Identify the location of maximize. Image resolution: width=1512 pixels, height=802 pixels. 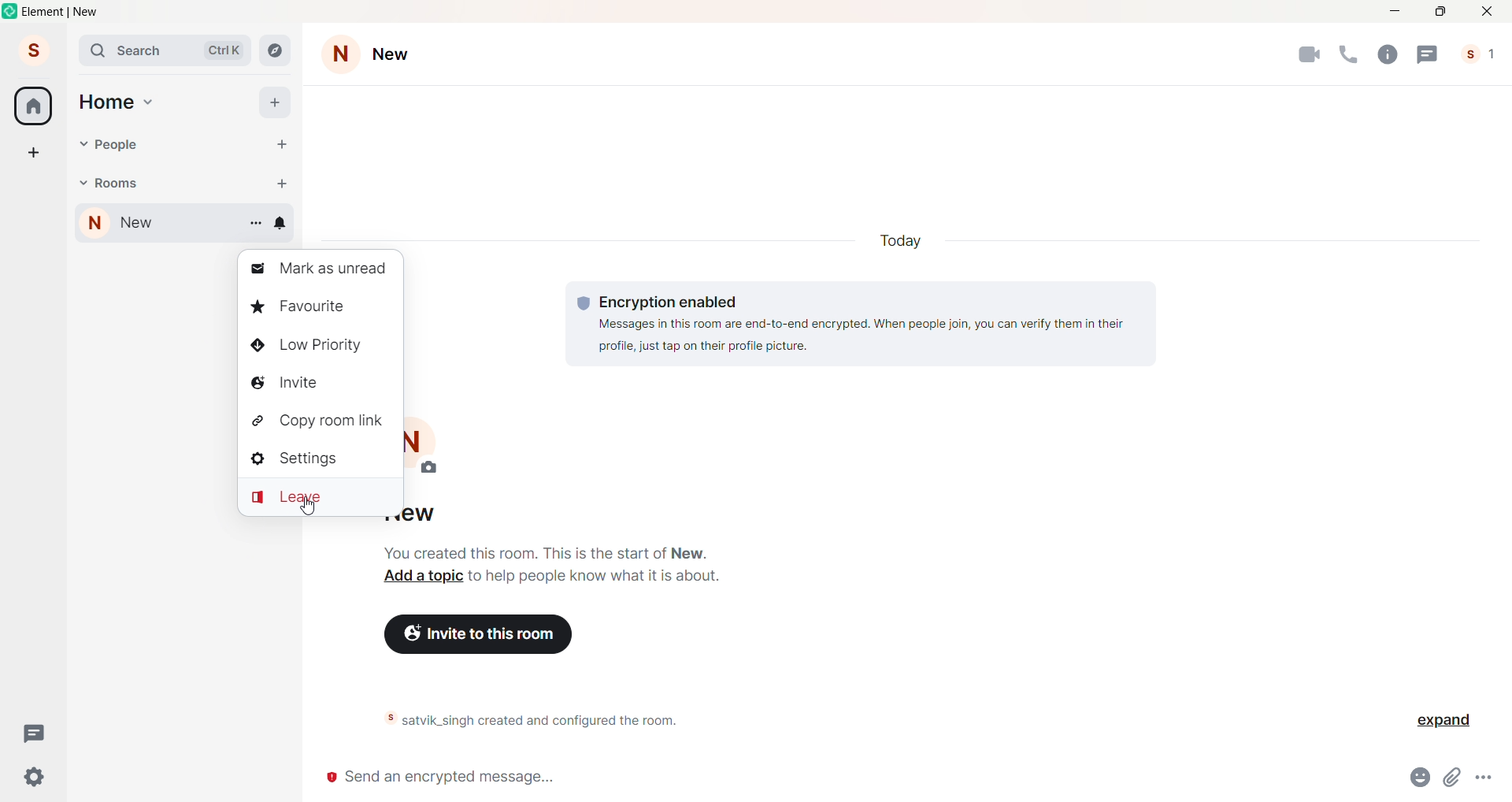
(1440, 13).